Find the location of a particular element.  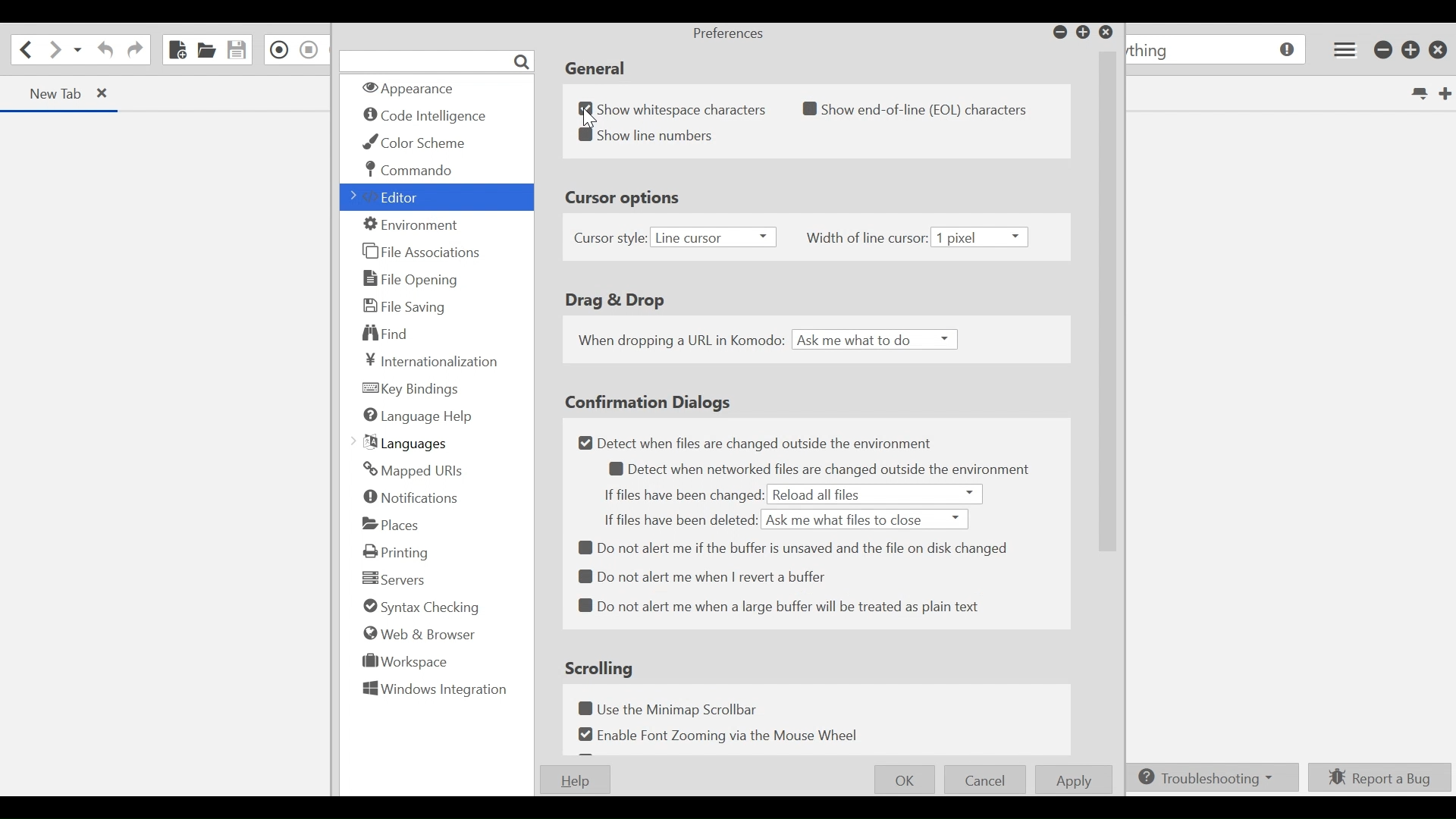

OK is located at coordinates (904, 780).